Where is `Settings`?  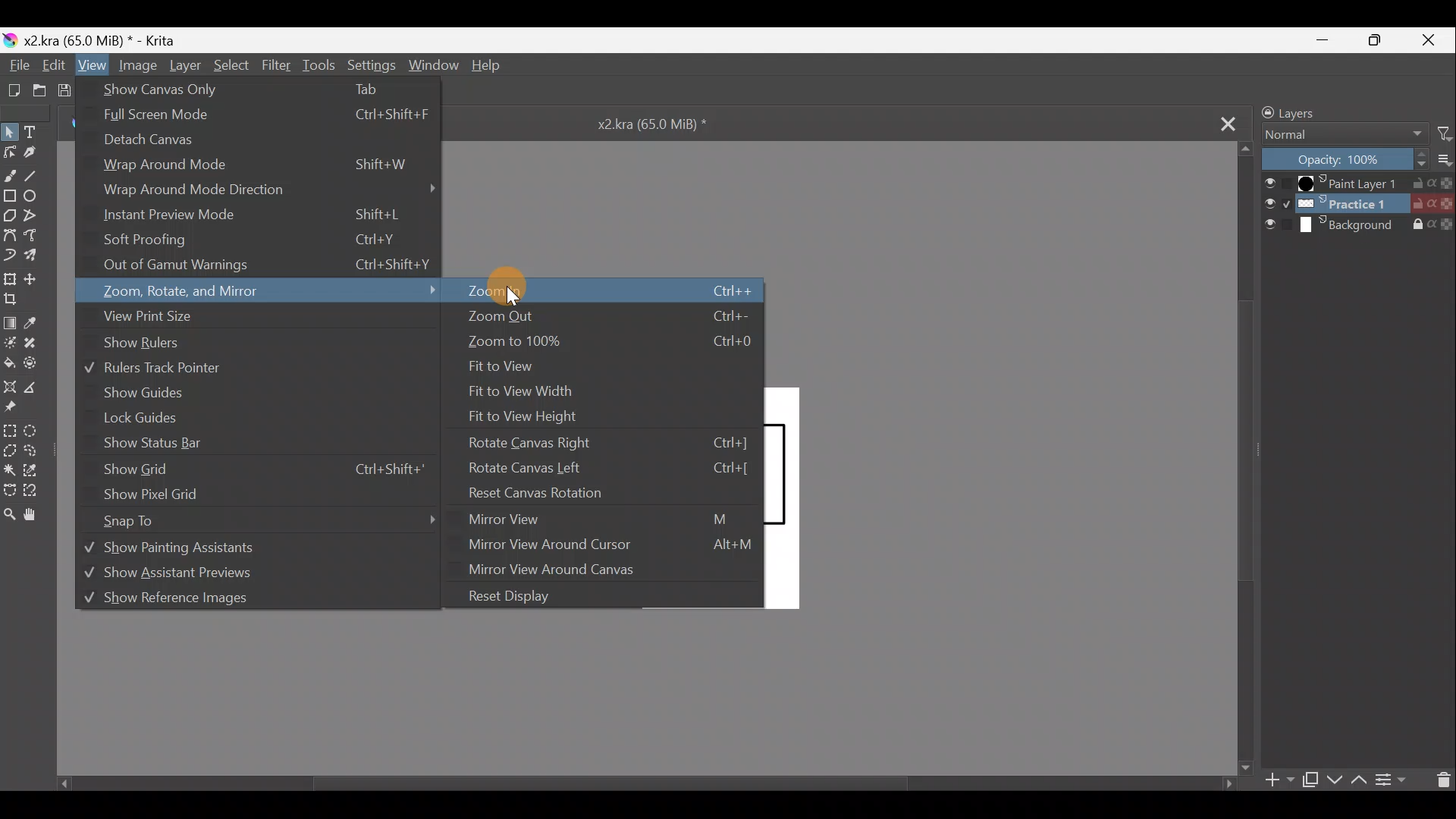 Settings is located at coordinates (369, 68).